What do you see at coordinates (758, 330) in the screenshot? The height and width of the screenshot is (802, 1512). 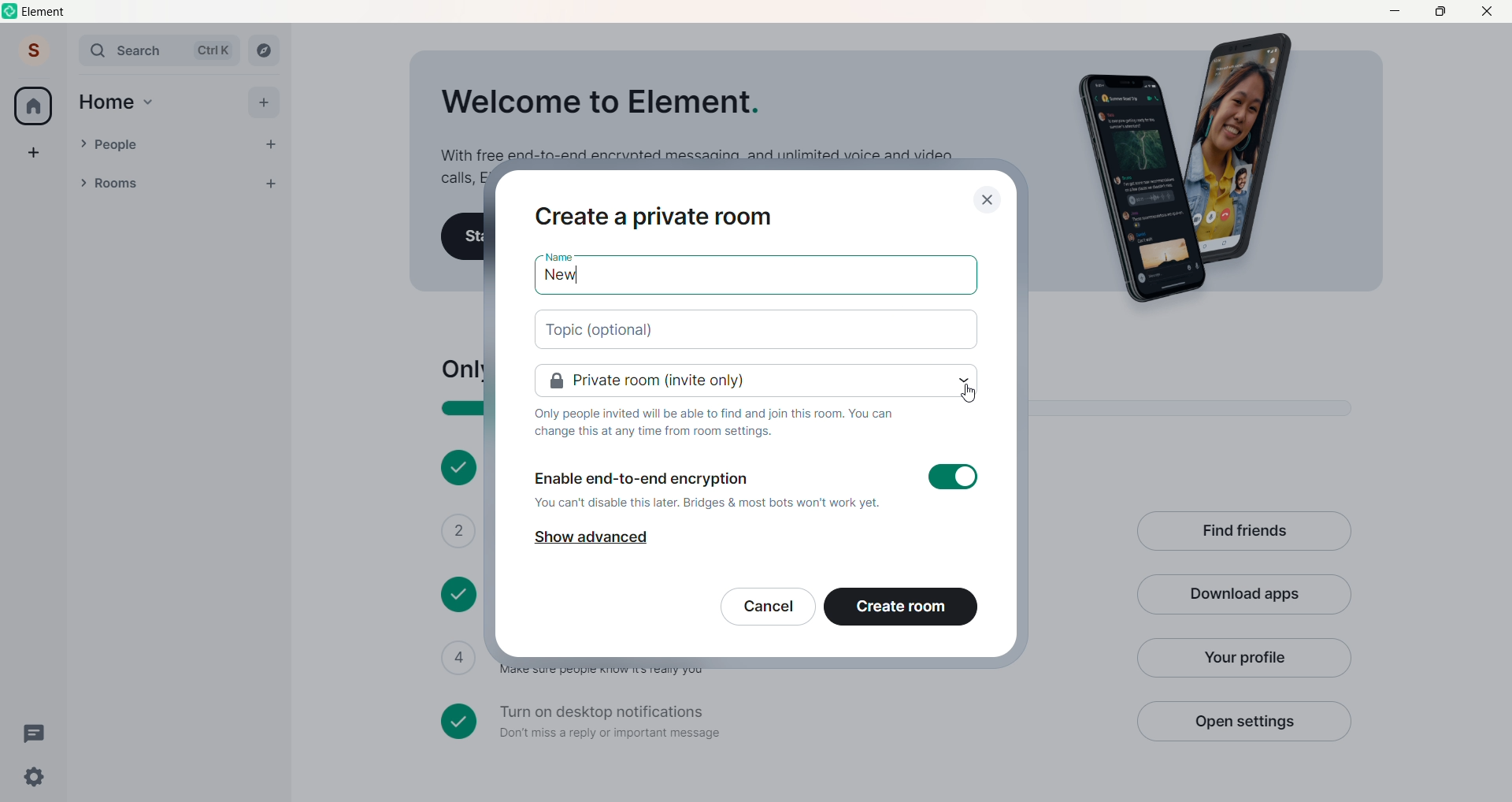 I see `add topic (optional)` at bounding box center [758, 330].